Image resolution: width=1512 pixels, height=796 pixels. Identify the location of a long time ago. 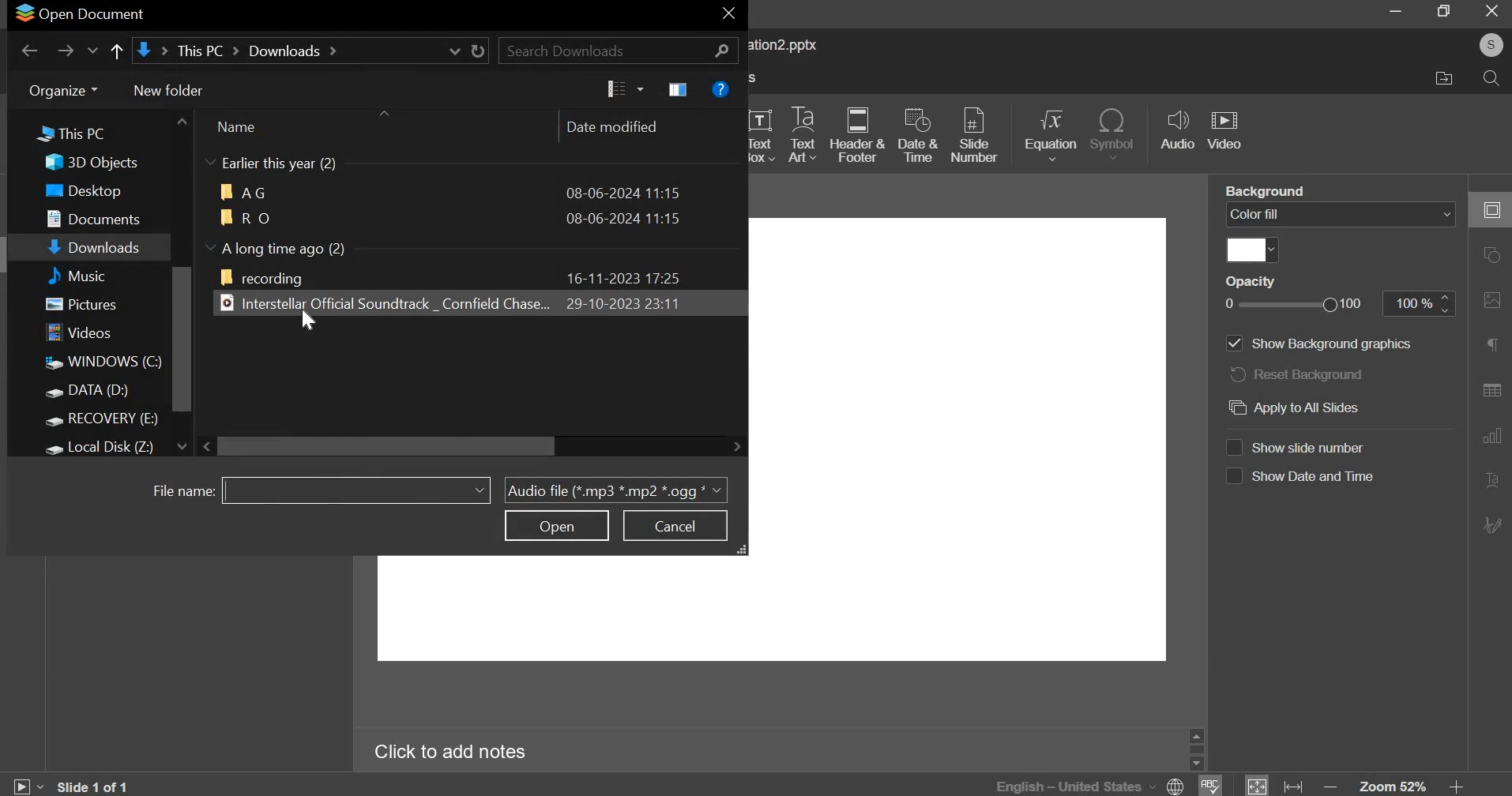
(288, 247).